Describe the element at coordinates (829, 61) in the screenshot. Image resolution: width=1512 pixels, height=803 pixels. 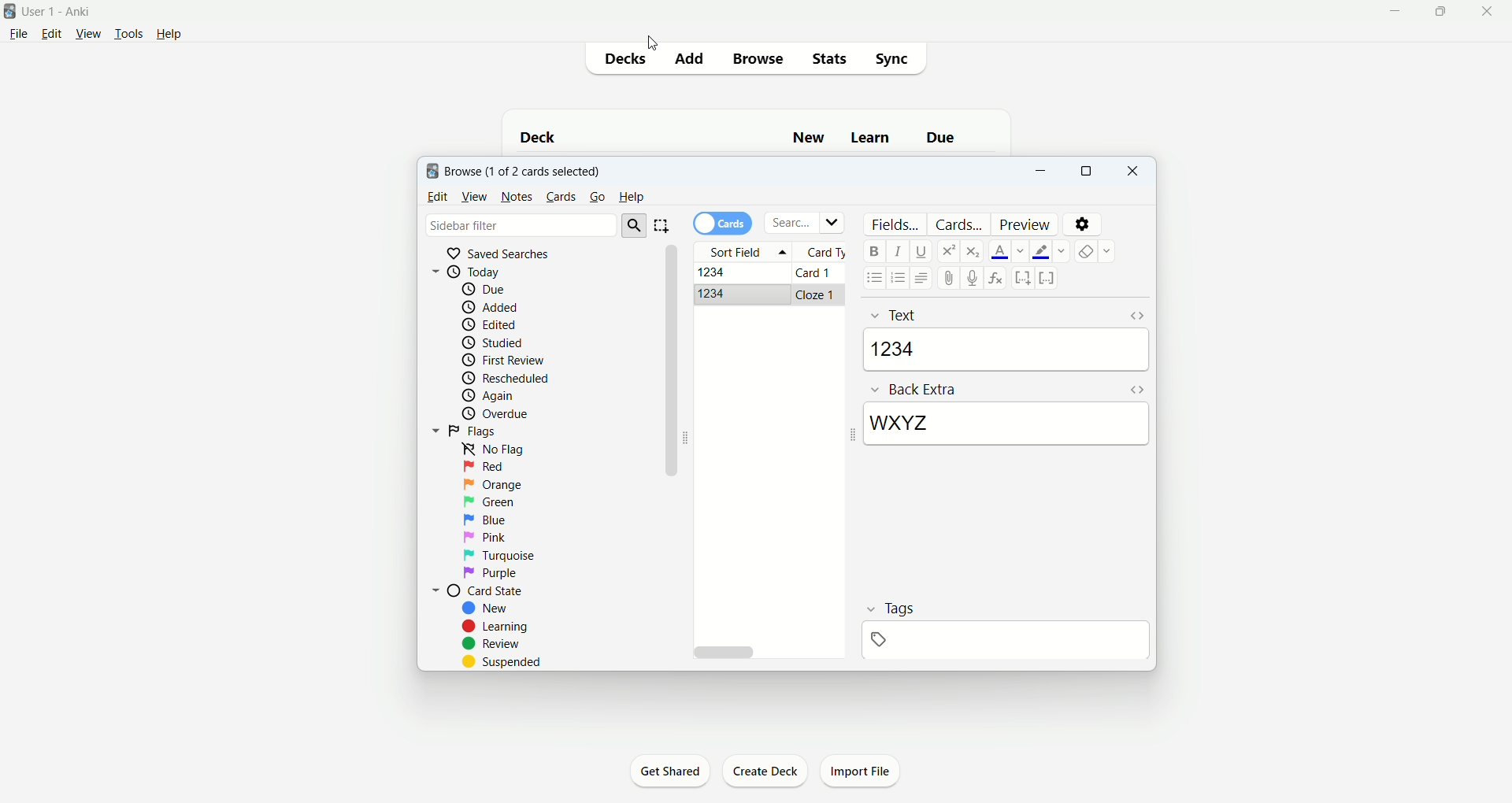
I see `stats` at that location.